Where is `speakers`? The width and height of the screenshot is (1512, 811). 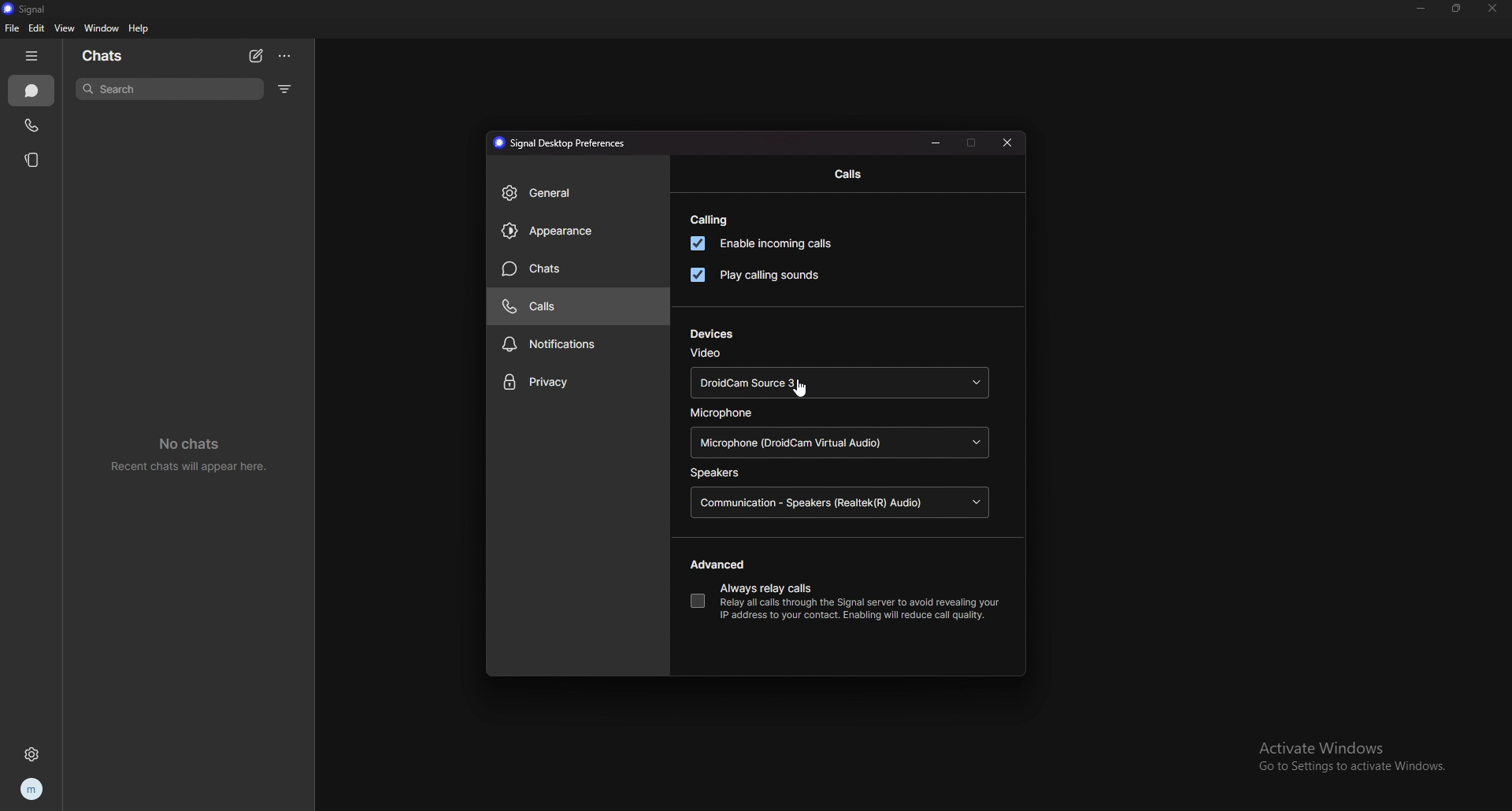 speakers is located at coordinates (717, 473).